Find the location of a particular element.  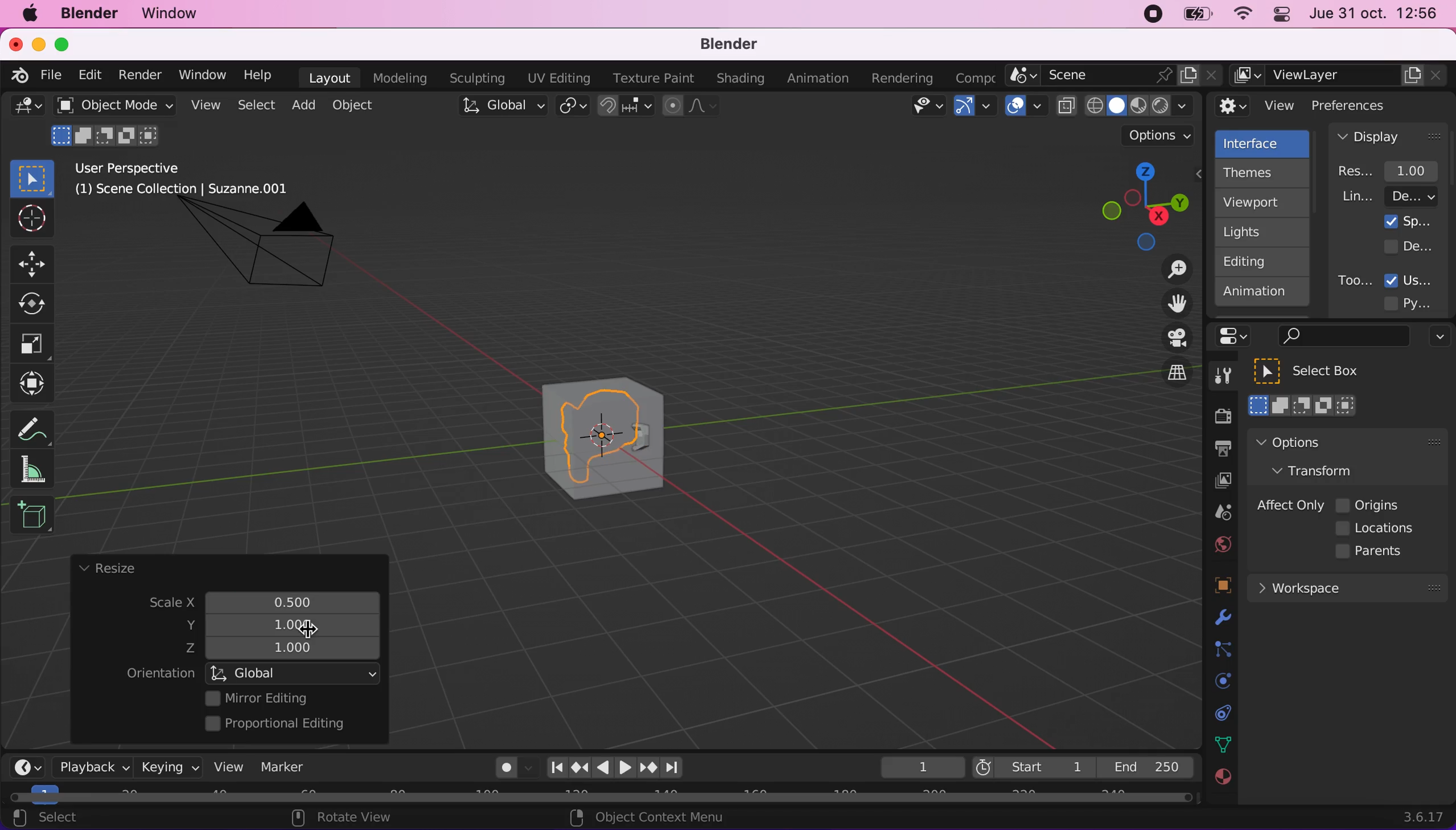

cursor is located at coordinates (306, 632).